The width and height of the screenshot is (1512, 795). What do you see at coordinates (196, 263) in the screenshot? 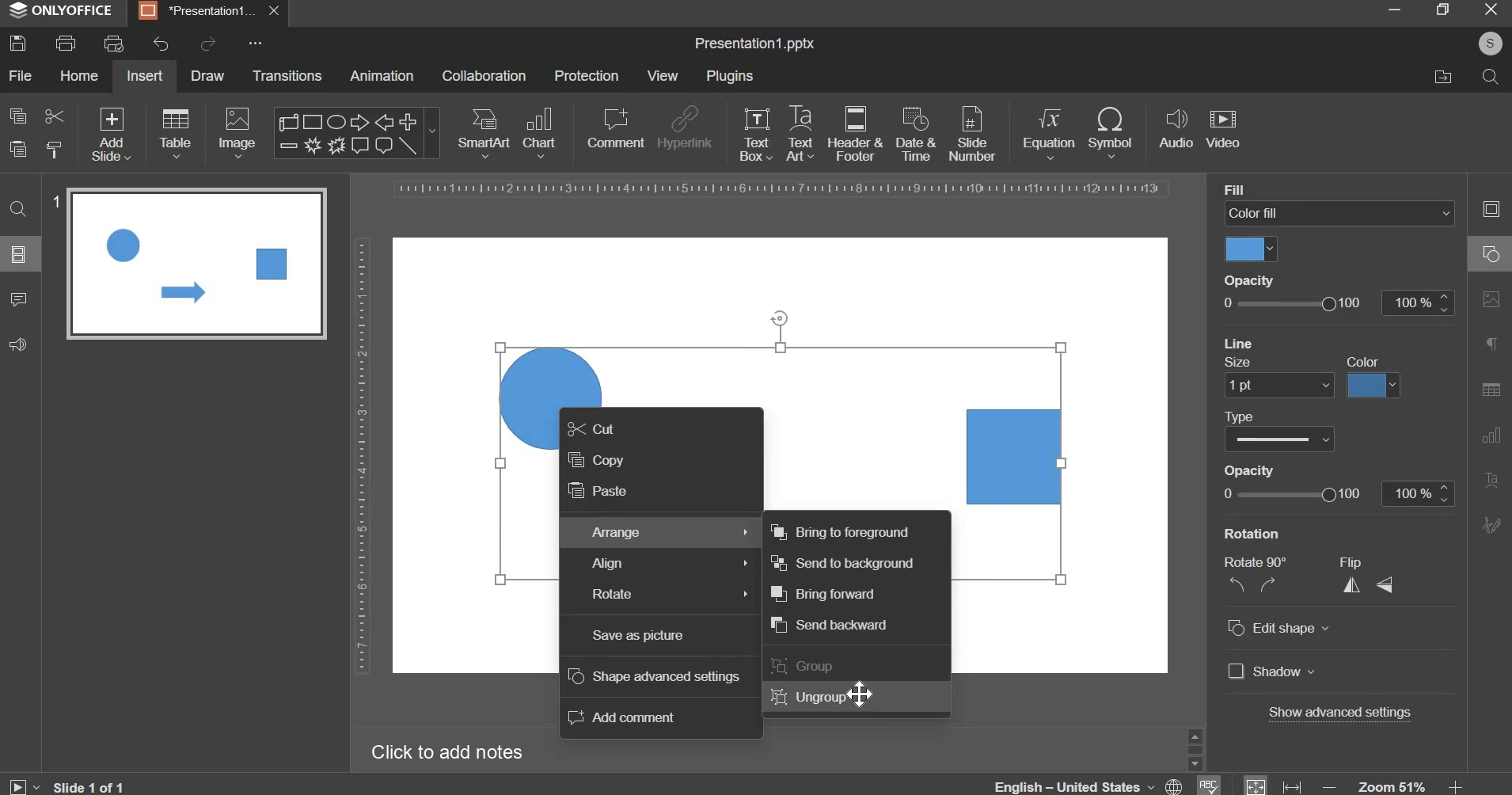
I see `slide preview` at bounding box center [196, 263].